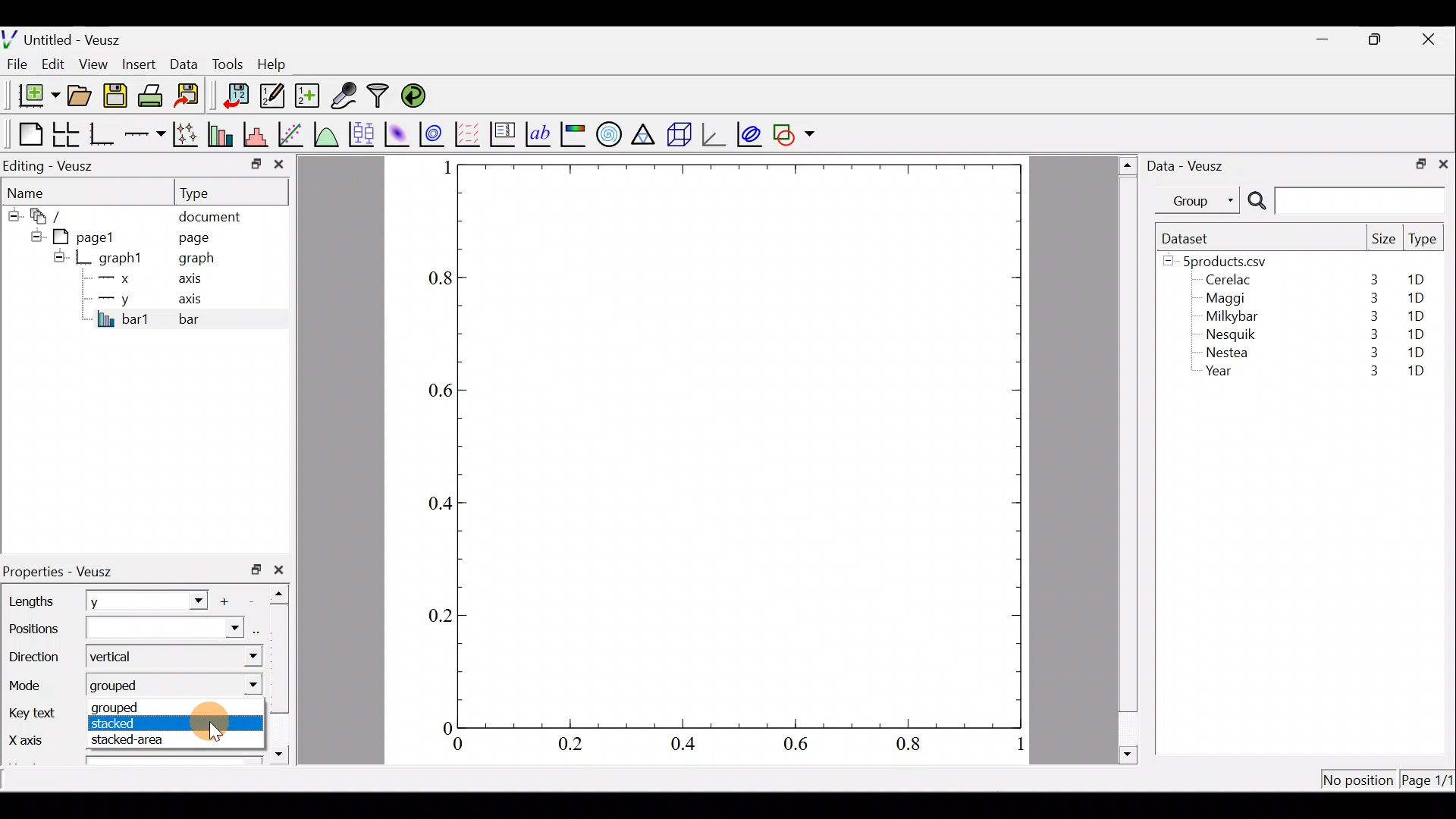 The image size is (1456, 819). What do you see at coordinates (90, 235) in the screenshot?
I see `pagel` at bounding box center [90, 235].